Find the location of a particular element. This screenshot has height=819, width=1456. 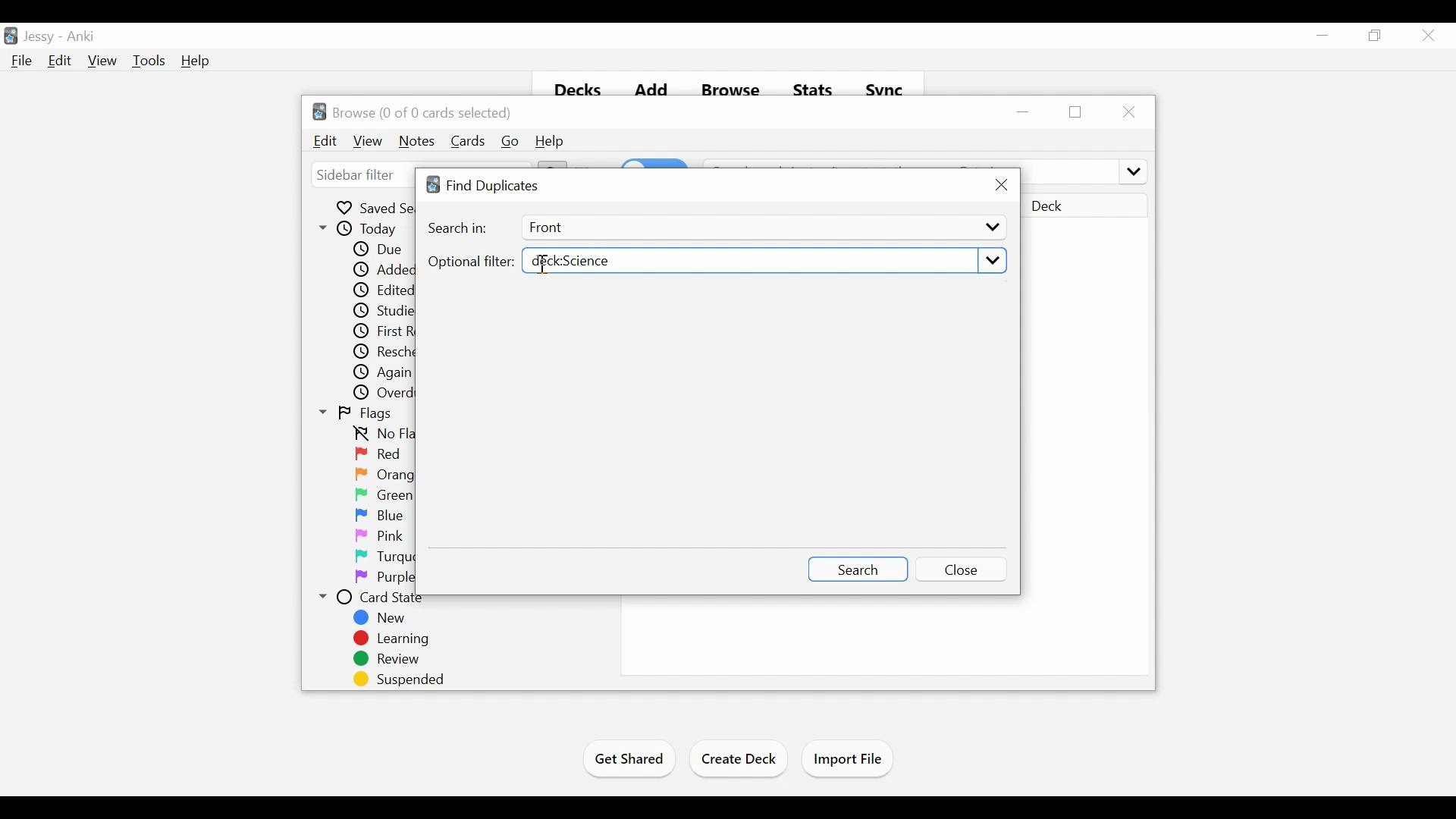

Flags is located at coordinates (356, 414).